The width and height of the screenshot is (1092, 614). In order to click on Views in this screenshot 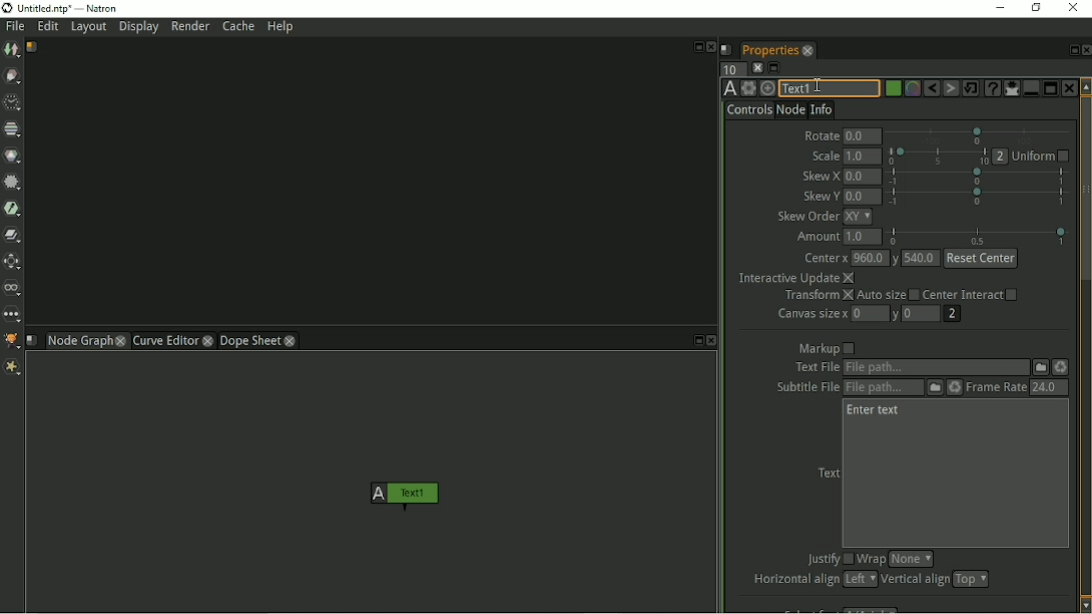, I will do `click(14, 289)`.